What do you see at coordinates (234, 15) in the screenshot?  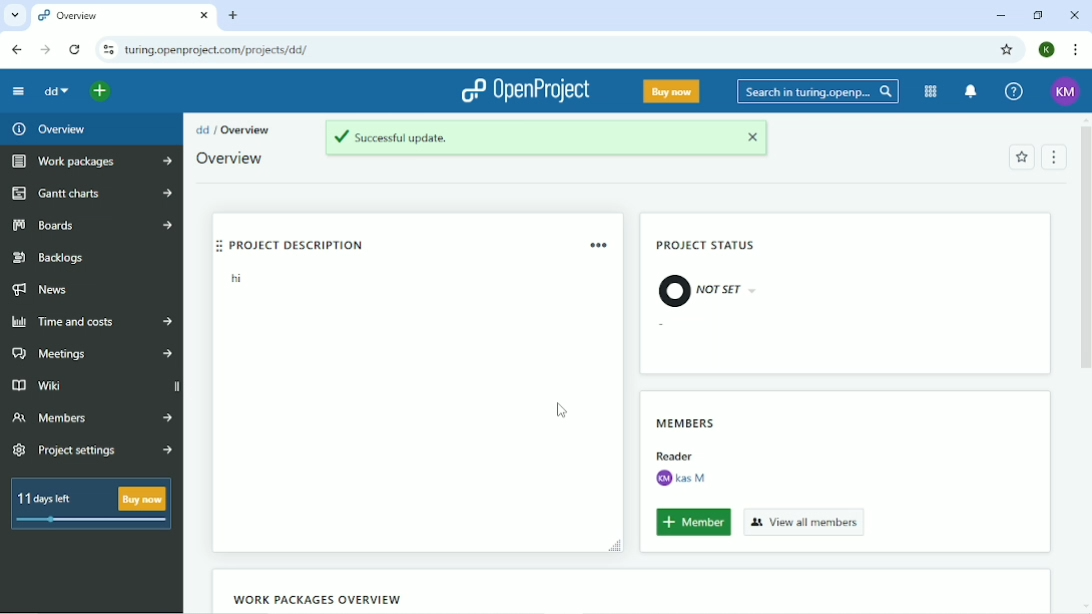 I see `New tab` at bounding box center [234, 15].